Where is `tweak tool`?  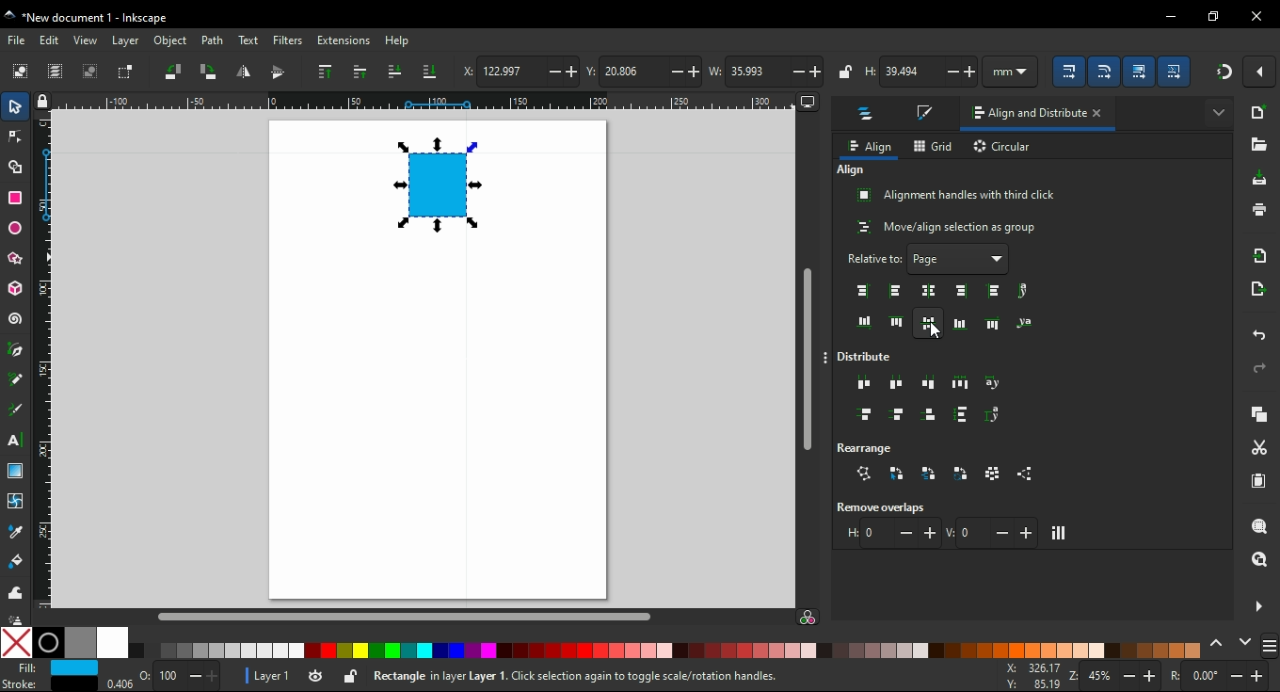 tweak tool is located at coordinates (15, 591).